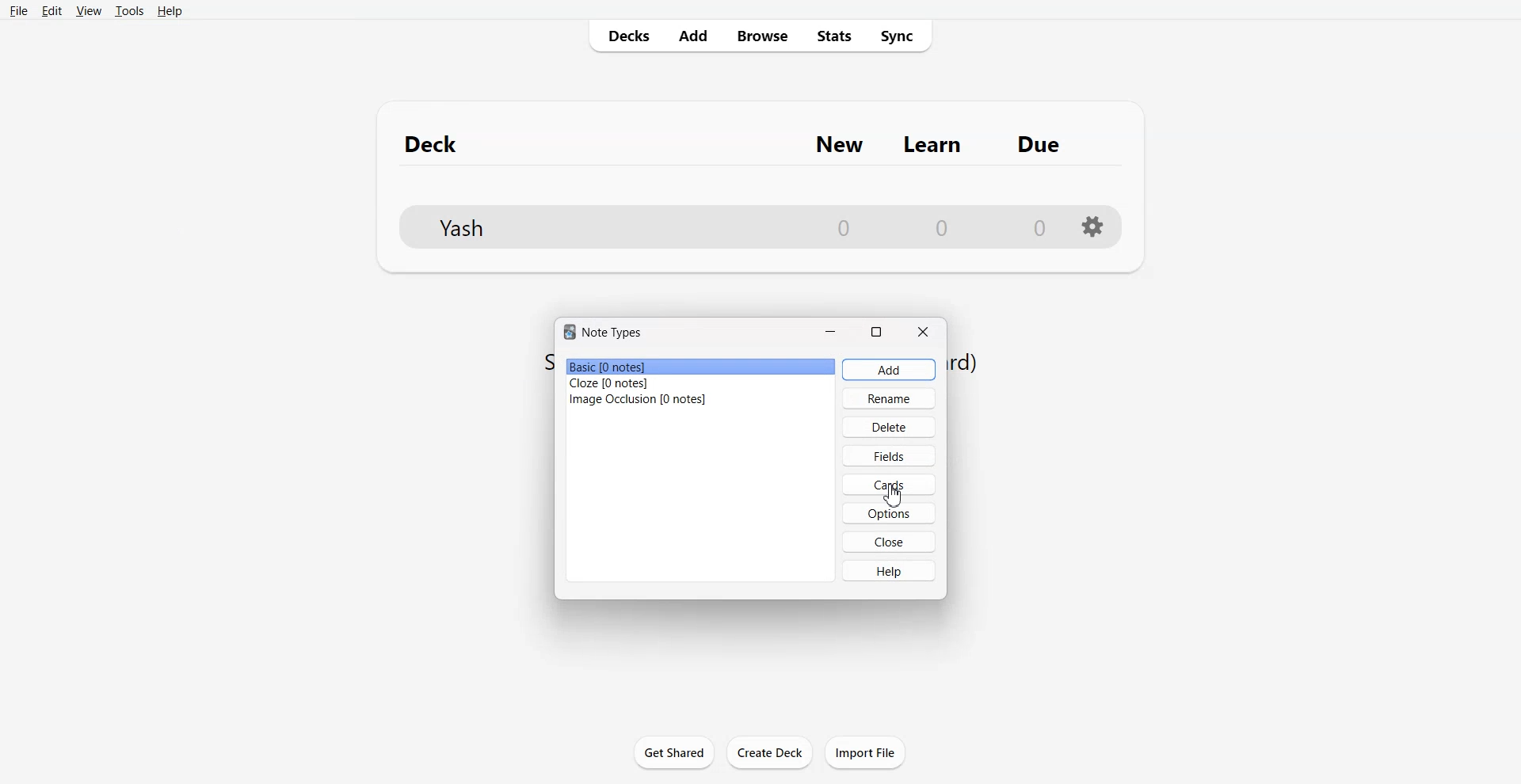 This screenshot has width=1521, height=784. Describe the element at coordinates (888, 513) in the screenshot. I see `Options` at that location.